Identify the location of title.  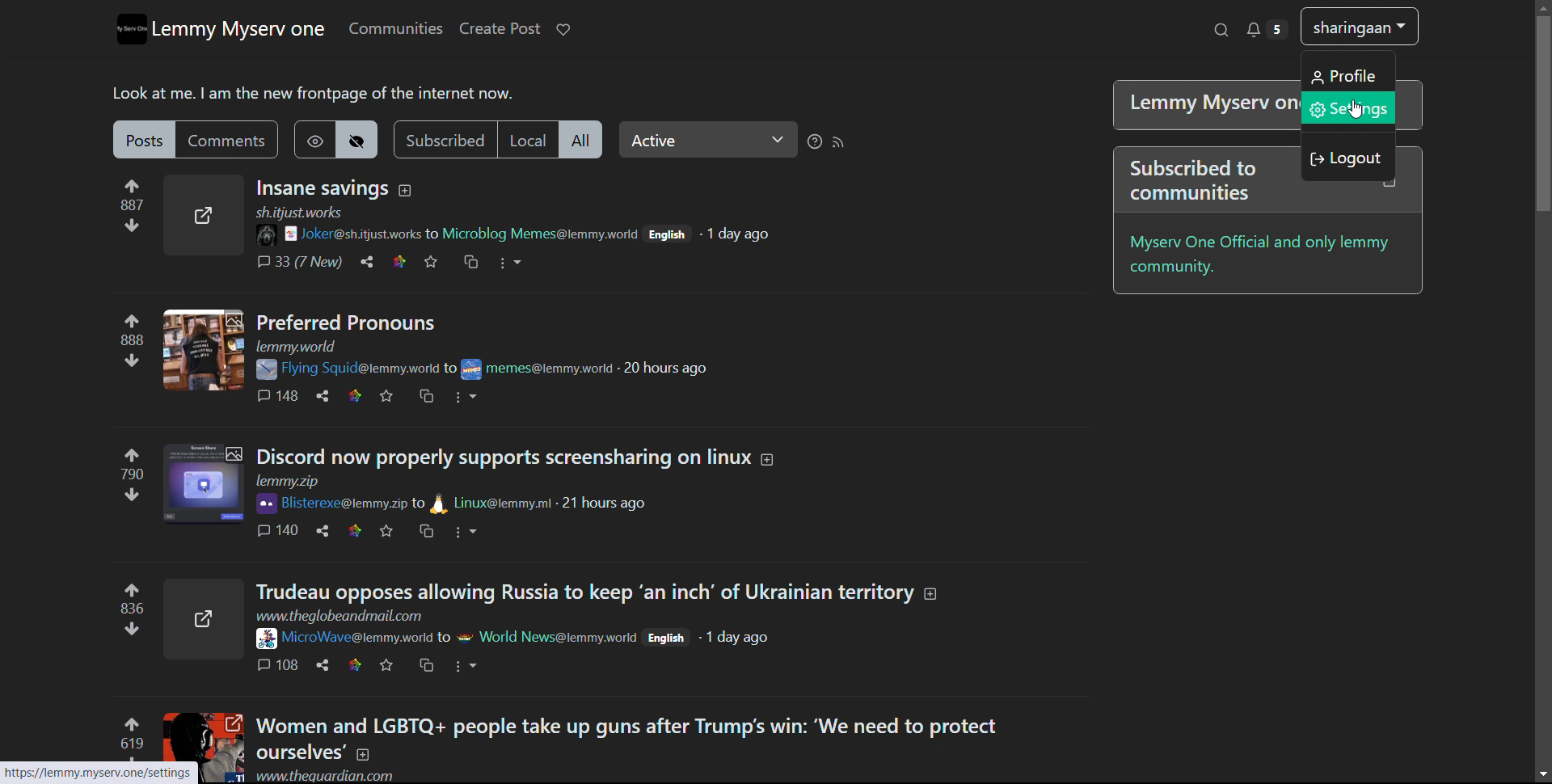
(584, 593).